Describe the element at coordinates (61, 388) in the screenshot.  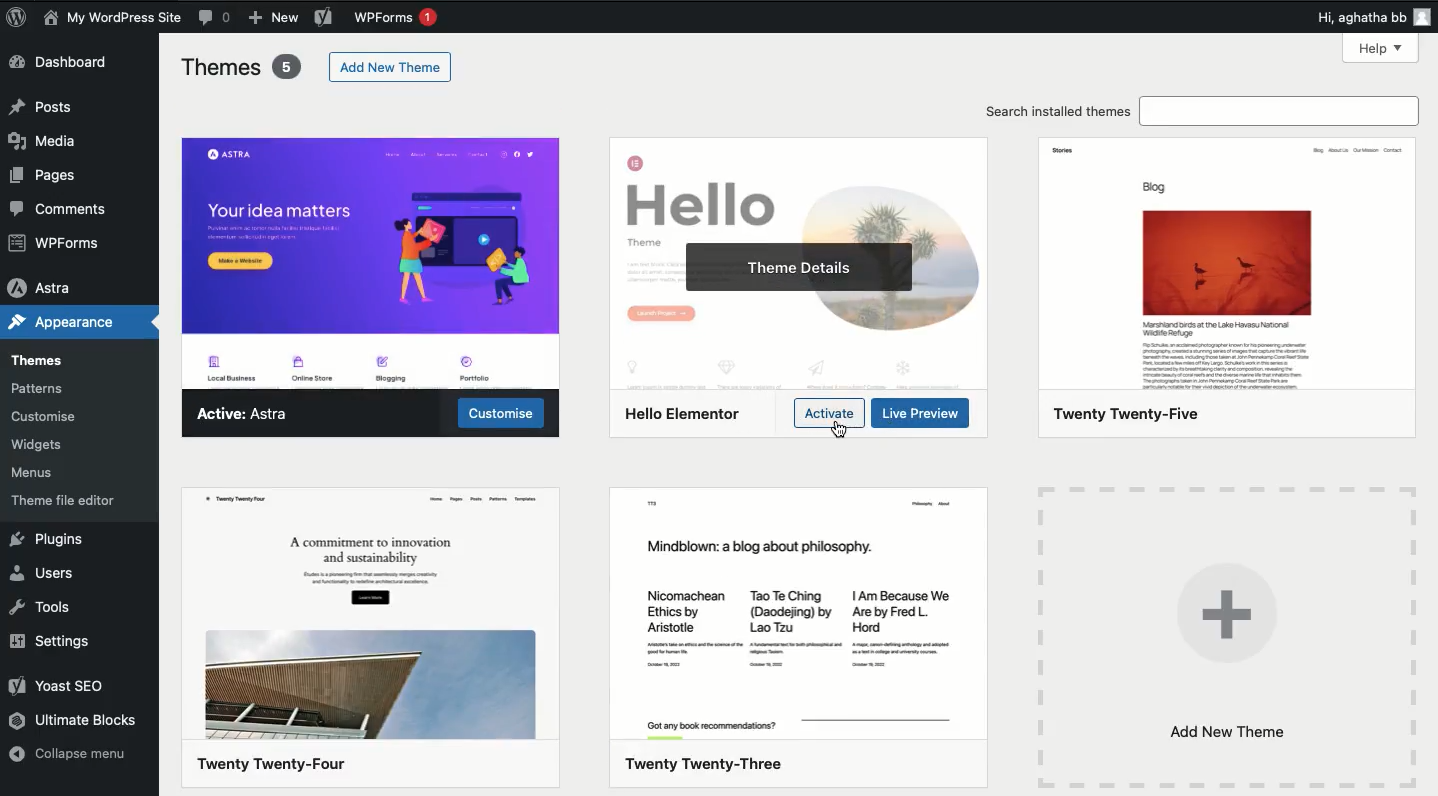
I see `patterns` at that location.